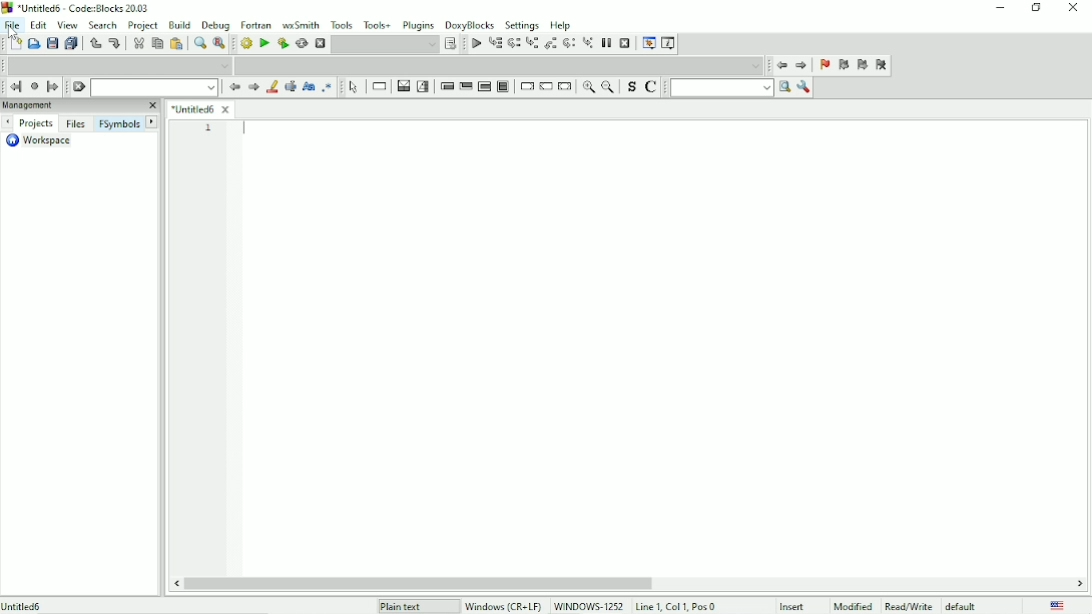 The height and width of the screenshot is (614, 1092). Describe the element at coordinates (202, 108) in the screenshot. I see `Untitled6` at that location.